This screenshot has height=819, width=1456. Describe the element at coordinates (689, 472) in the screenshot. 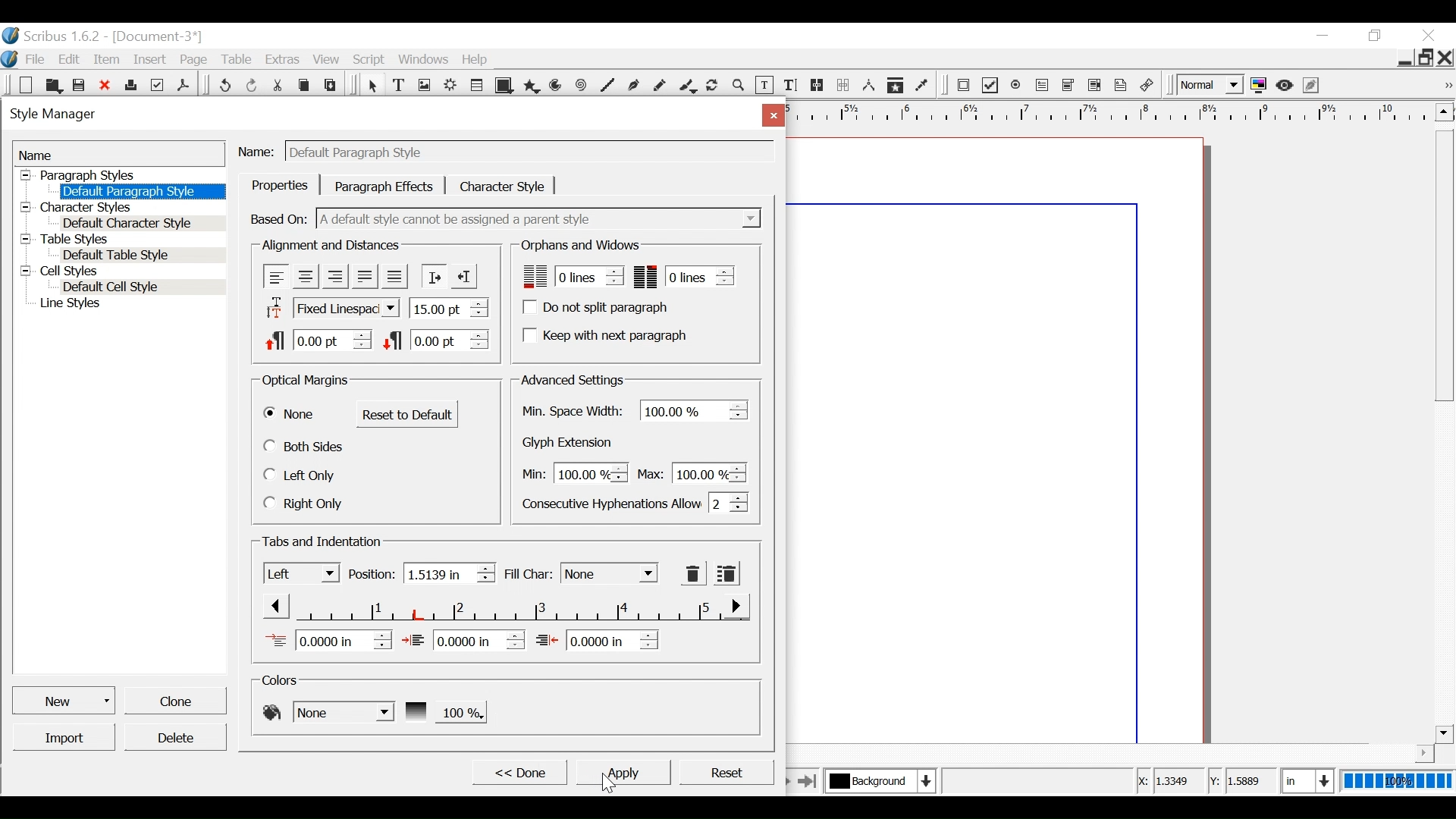

I see `Maximum` at that location.